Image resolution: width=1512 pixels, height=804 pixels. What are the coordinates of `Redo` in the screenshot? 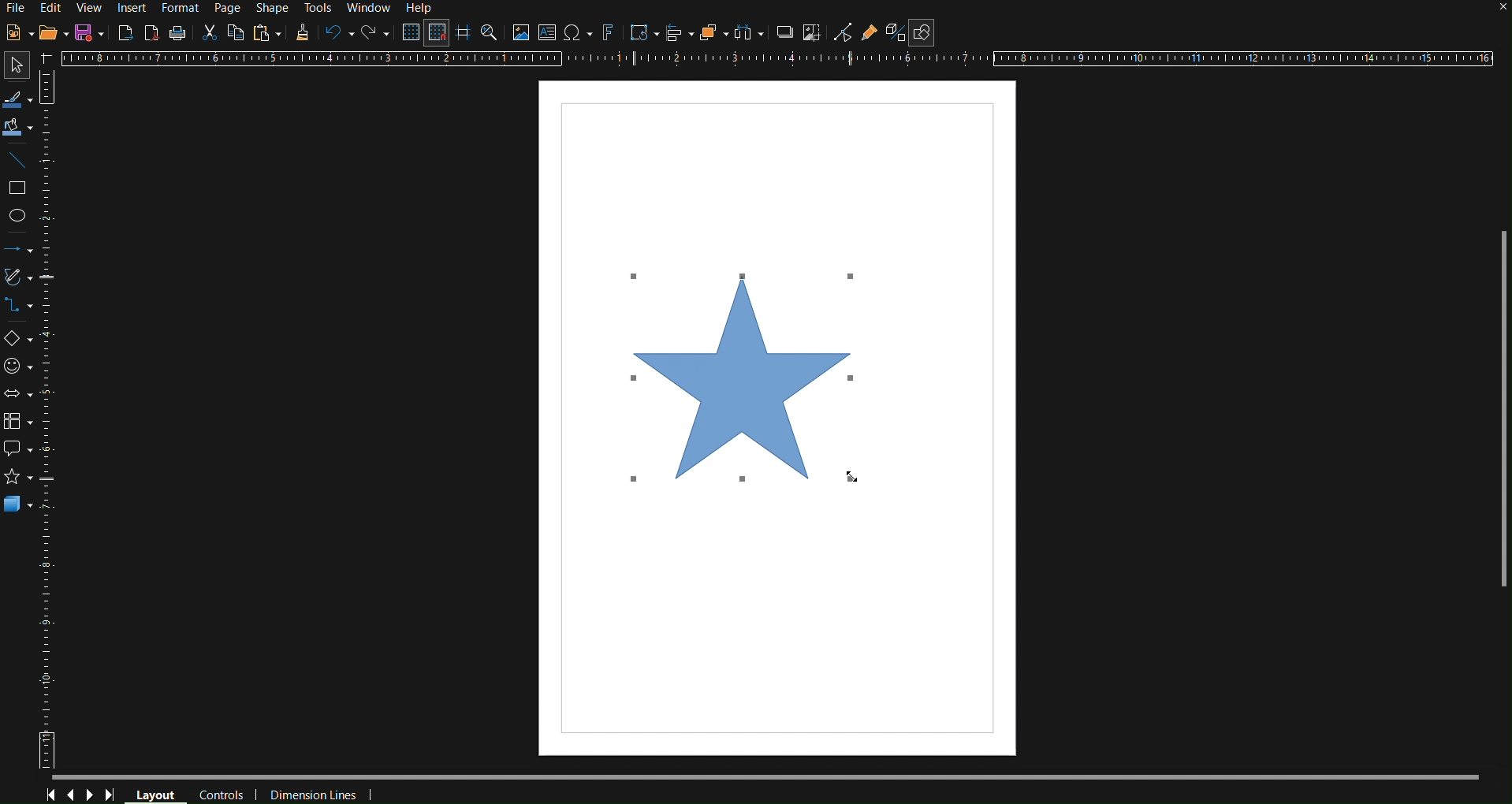 It's located at (373, 34).